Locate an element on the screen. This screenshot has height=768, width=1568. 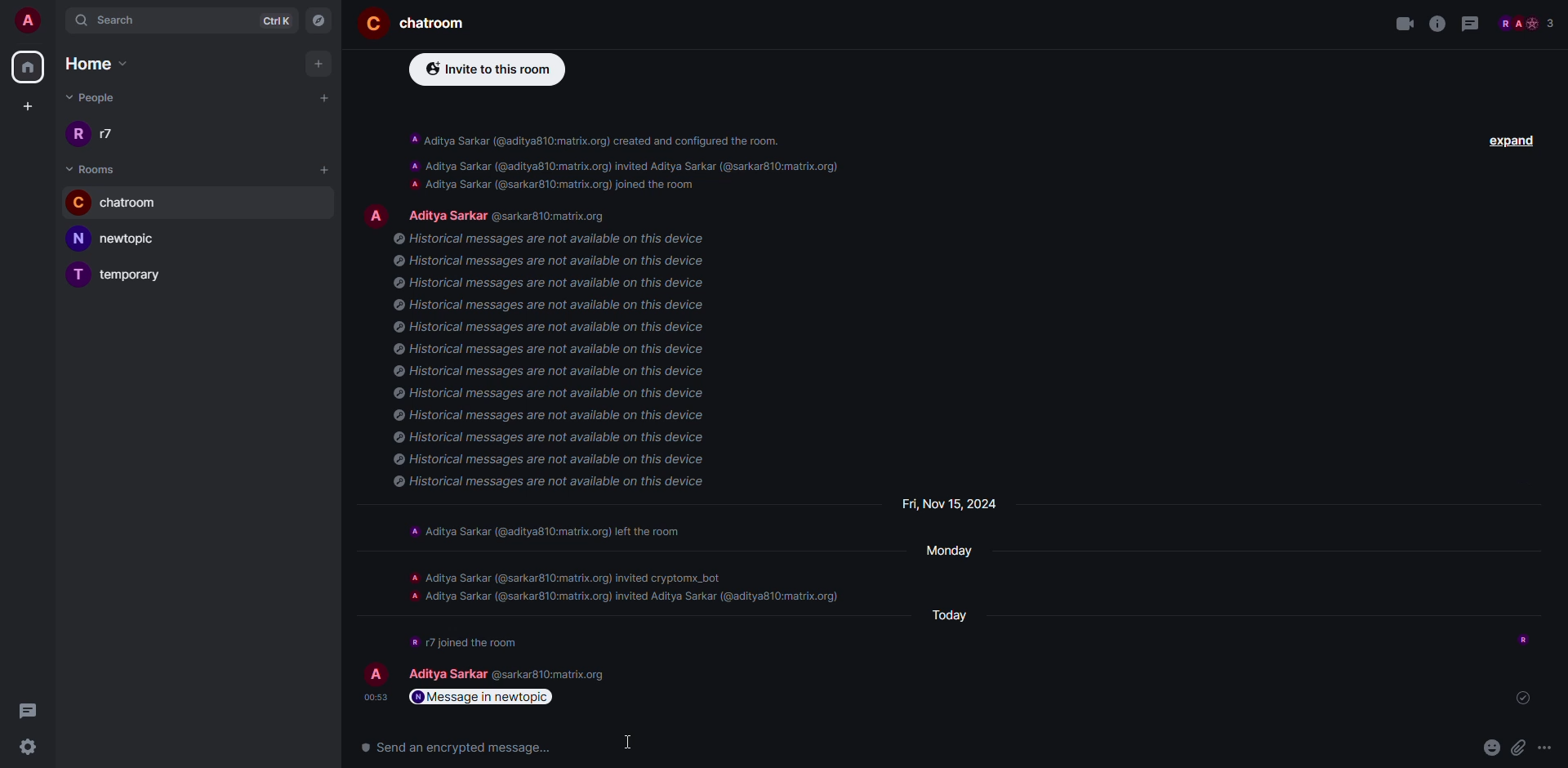
seen is located at coordinates (1526, 635).